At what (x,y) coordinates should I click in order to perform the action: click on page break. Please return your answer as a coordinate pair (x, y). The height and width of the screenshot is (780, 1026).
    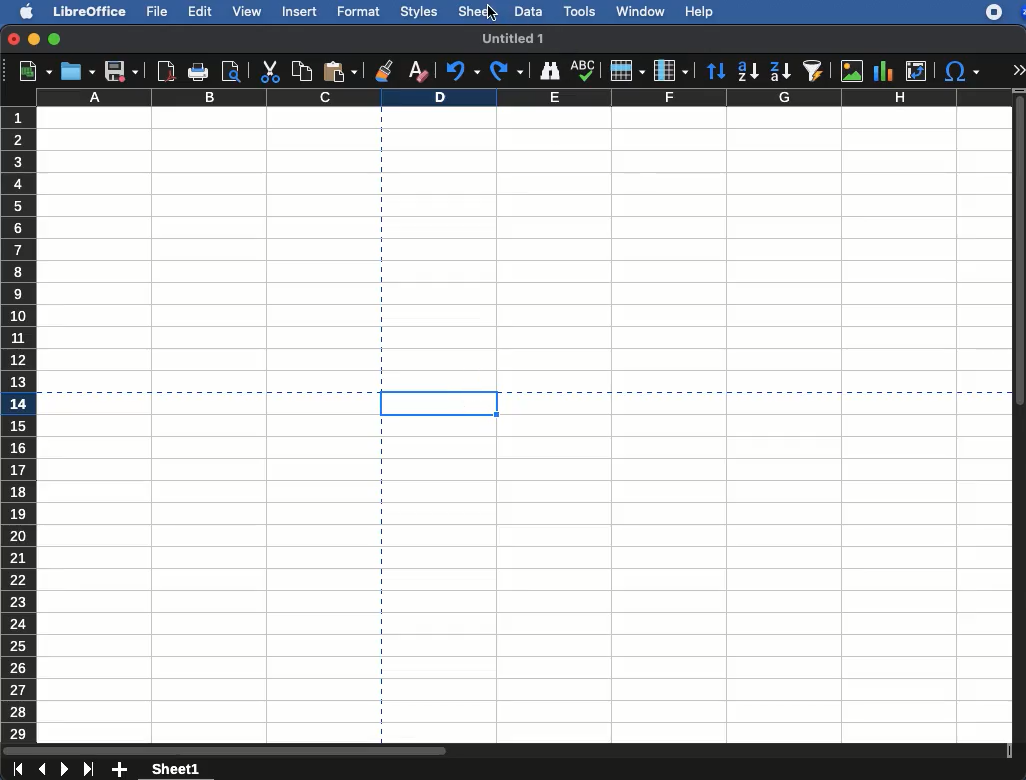
    Looking at the image, I should click on (757, 392).